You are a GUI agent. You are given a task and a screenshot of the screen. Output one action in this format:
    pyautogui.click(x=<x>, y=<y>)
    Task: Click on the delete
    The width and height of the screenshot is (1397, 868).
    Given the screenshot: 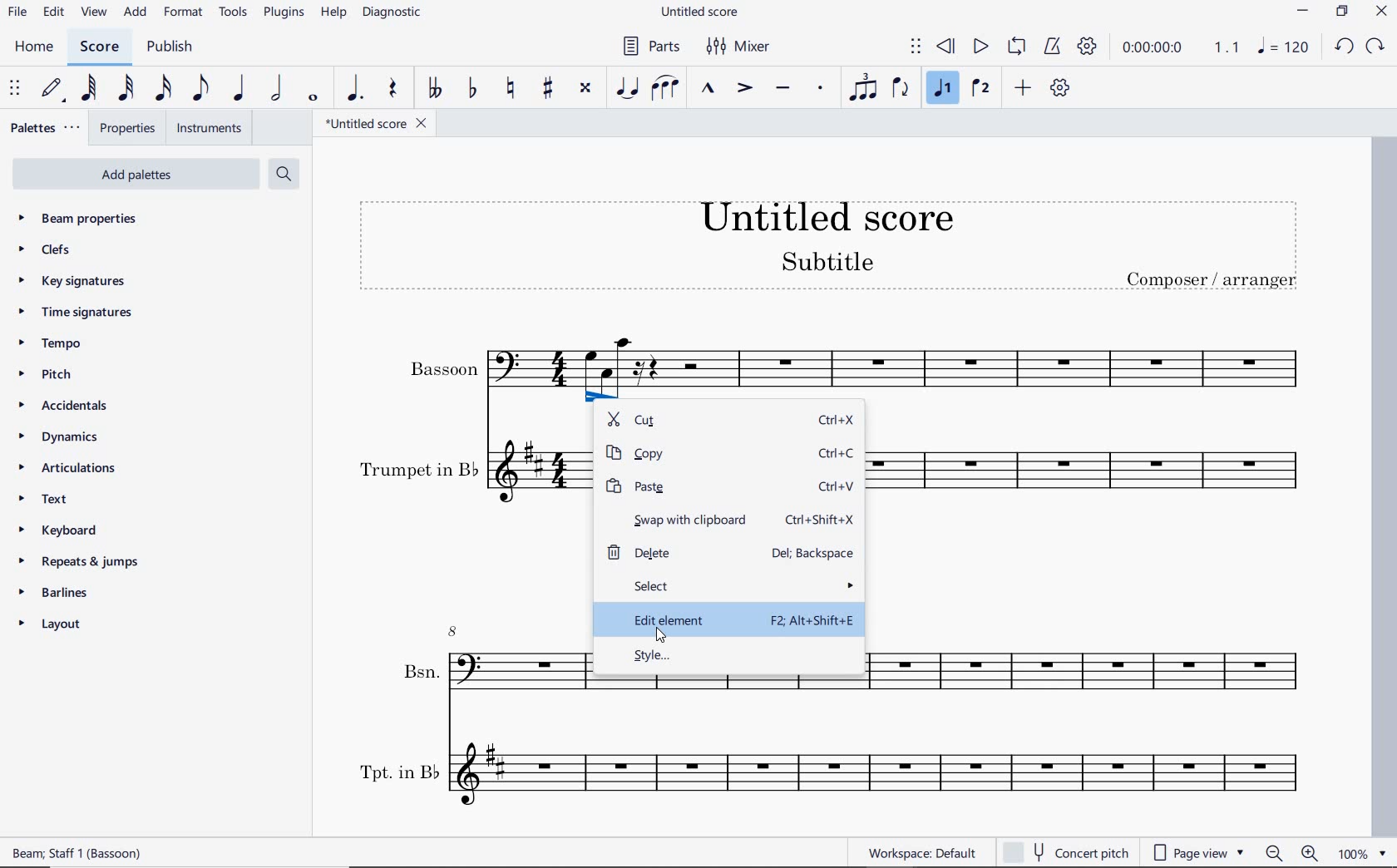 What is the action you would take?
    pyautogui.click(x=732, y=552)
    